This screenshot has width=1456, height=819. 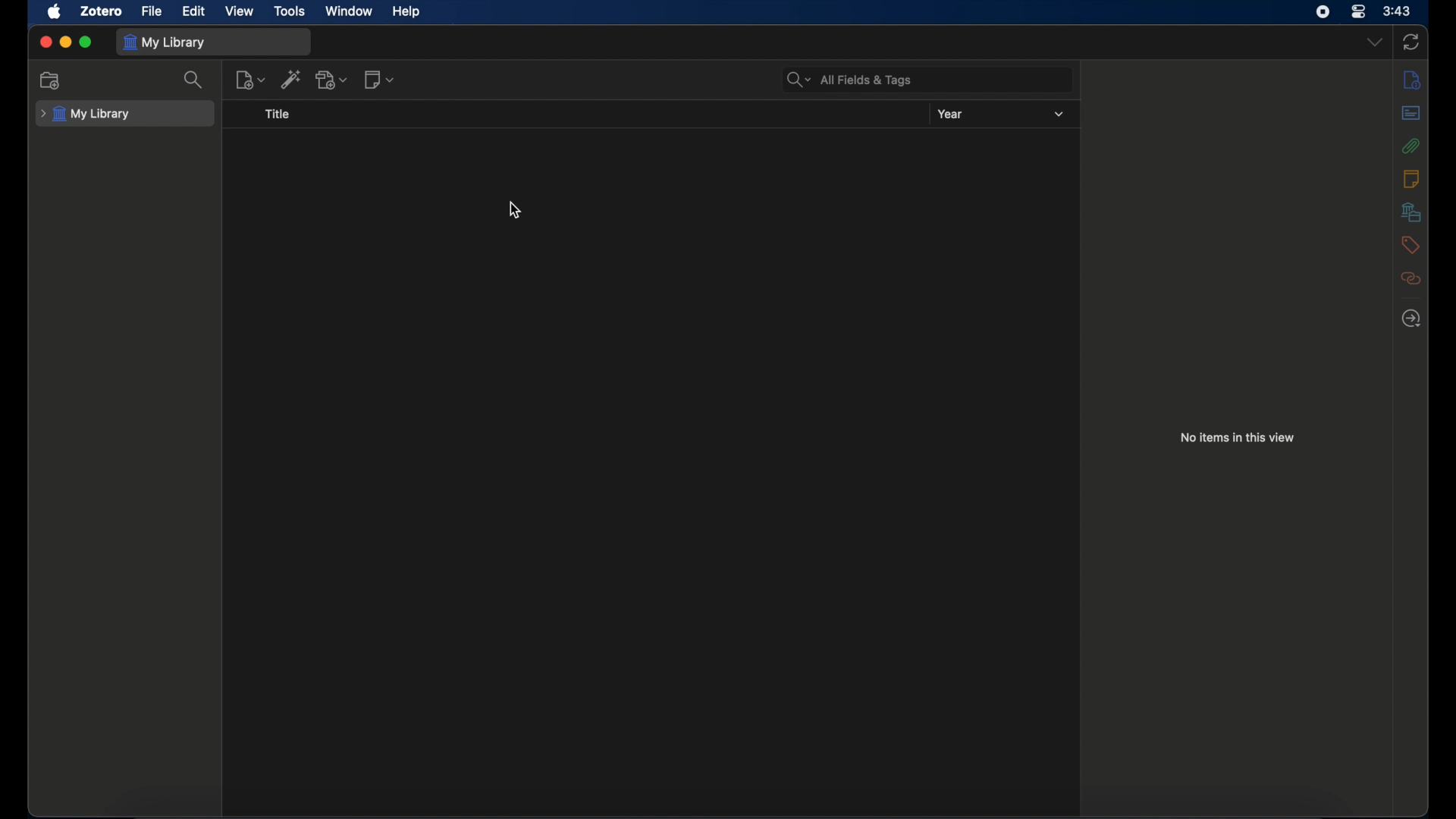 What do you see at coordinates (1359, 11) in the screenshot?
I see `control center` at bounding box center [1359, 11].